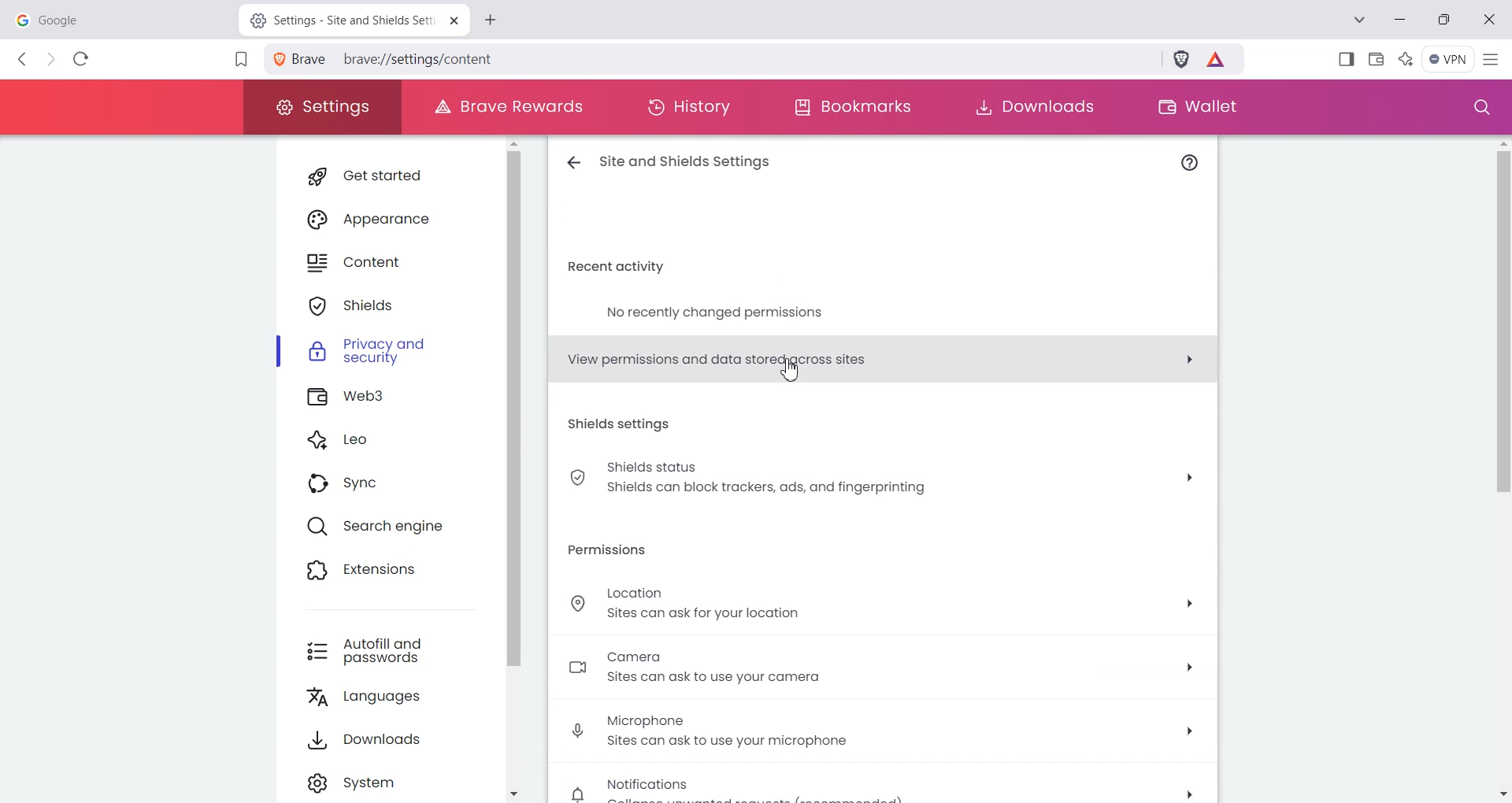 Image resolution: width=1512 pixels, height=803 pixels. I want to click on Settings, so click(321, 107).